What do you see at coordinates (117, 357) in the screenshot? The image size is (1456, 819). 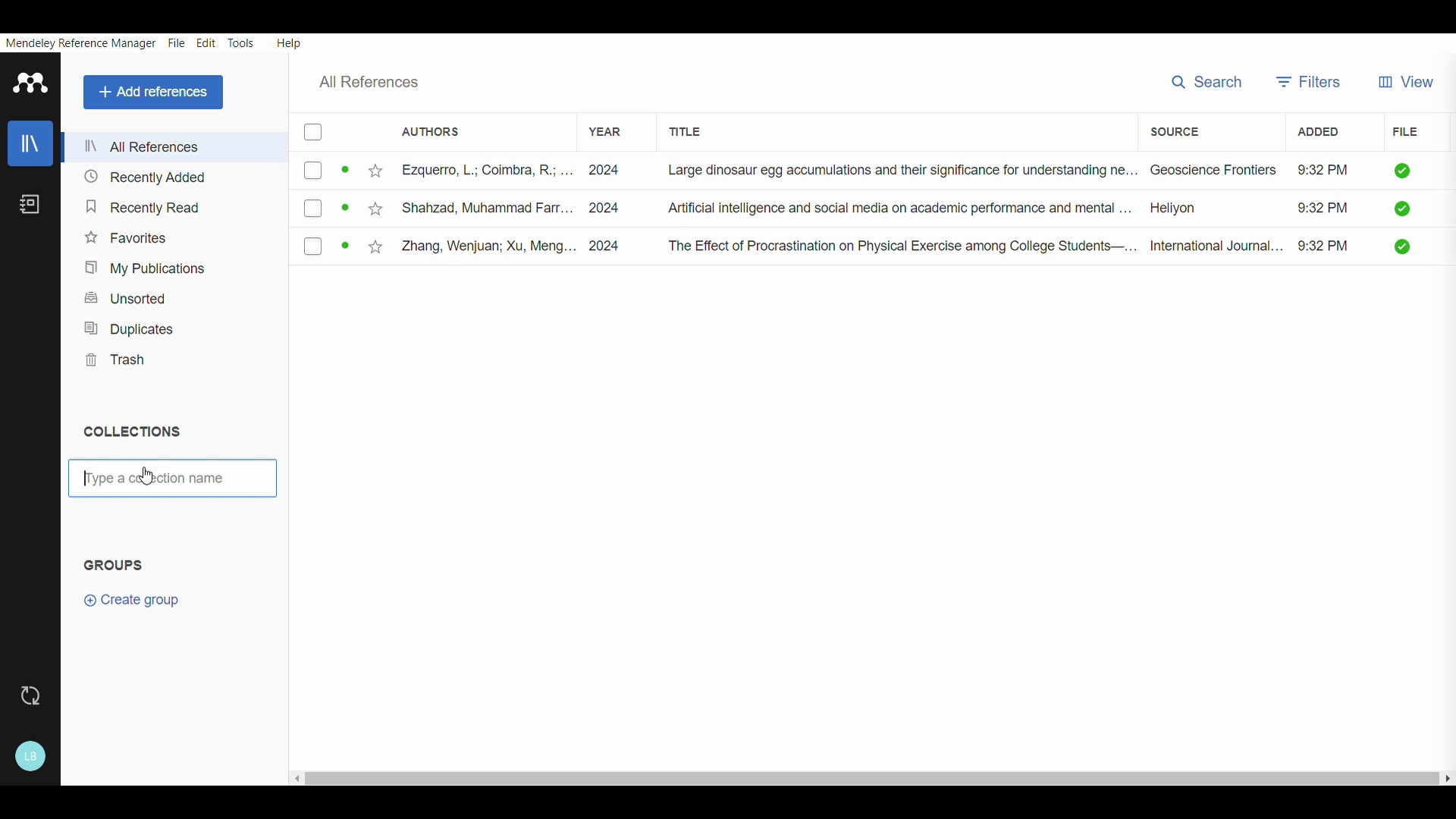 I see `Trash` at bounding box center [117, 357].